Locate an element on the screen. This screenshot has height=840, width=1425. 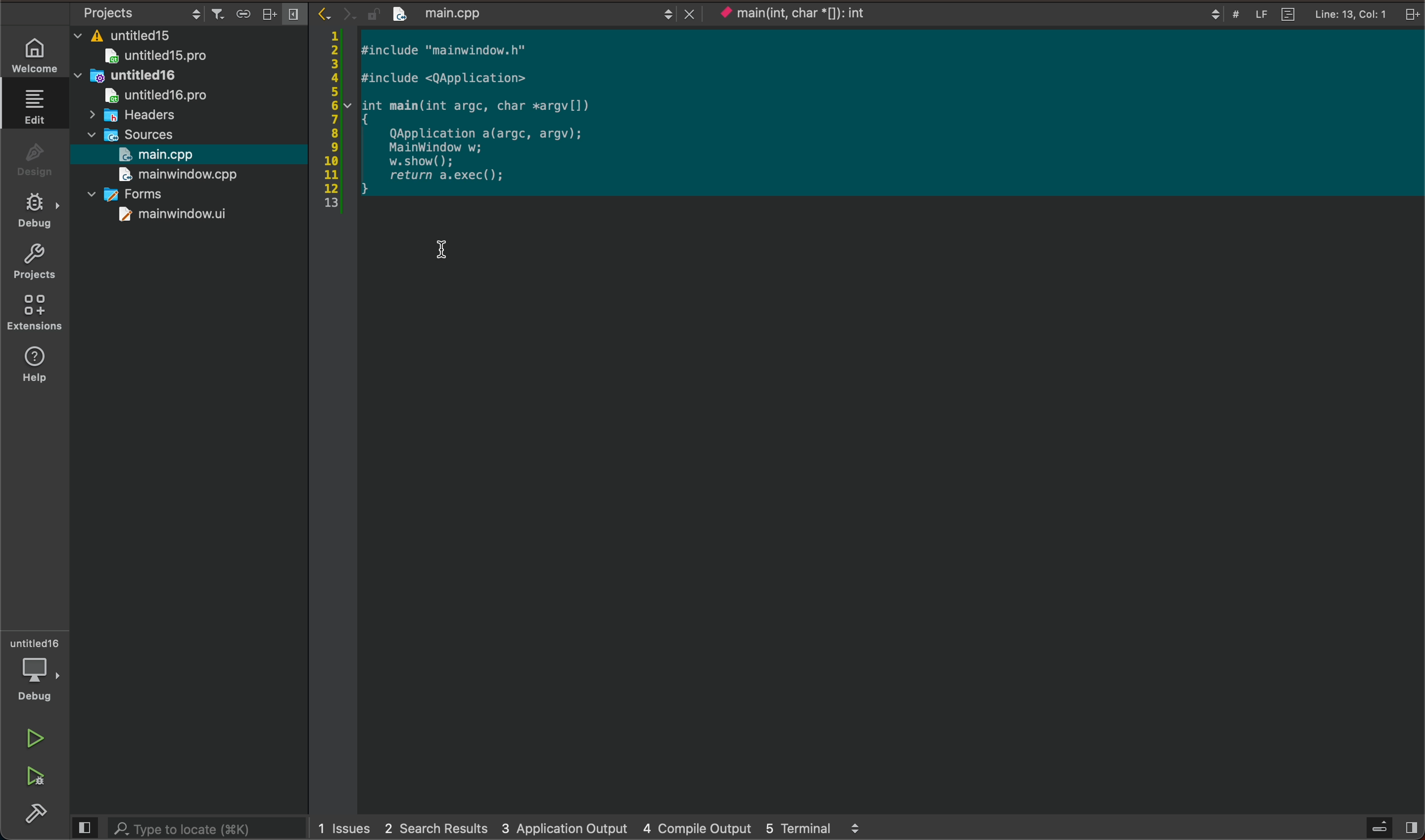
mainwindow is located at coordinates (169, 217).